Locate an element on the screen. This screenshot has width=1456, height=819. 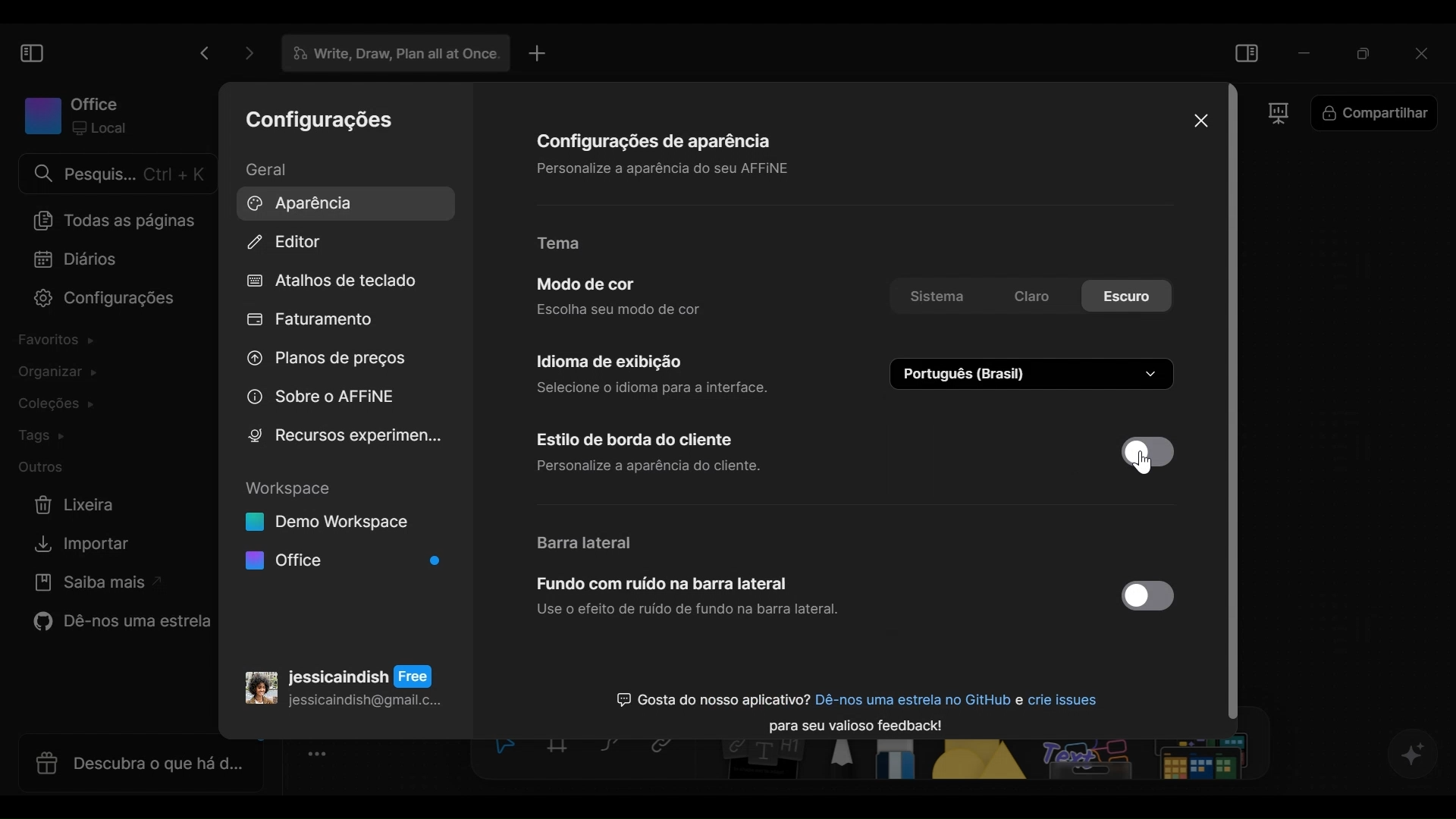
New Tab is located at coordinates (538, 53).